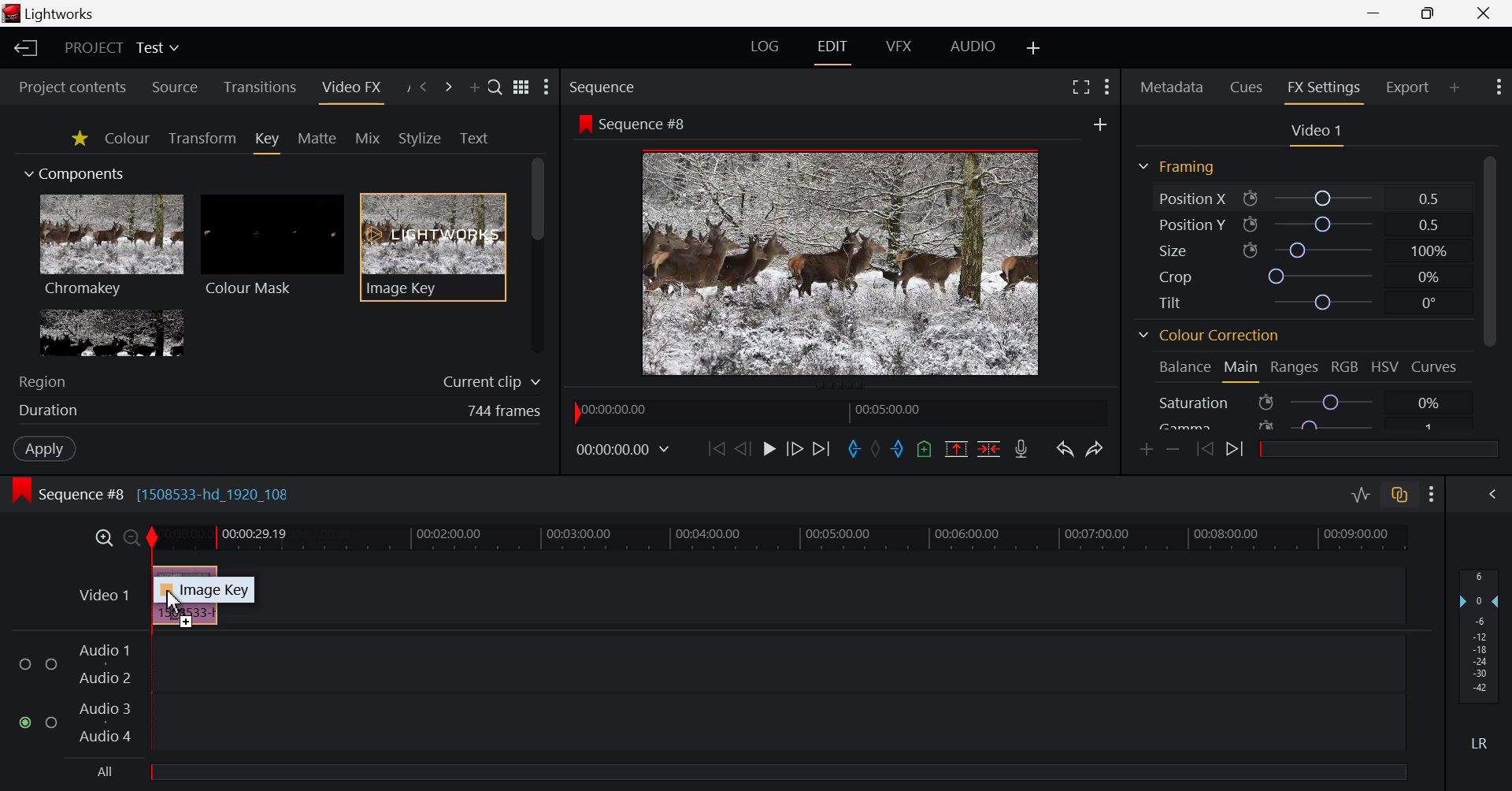 This screenshot has height=791, width=1512. Describe the element at coordinates (106, 708) in the screenshot. I see `Audio 3` at that location.